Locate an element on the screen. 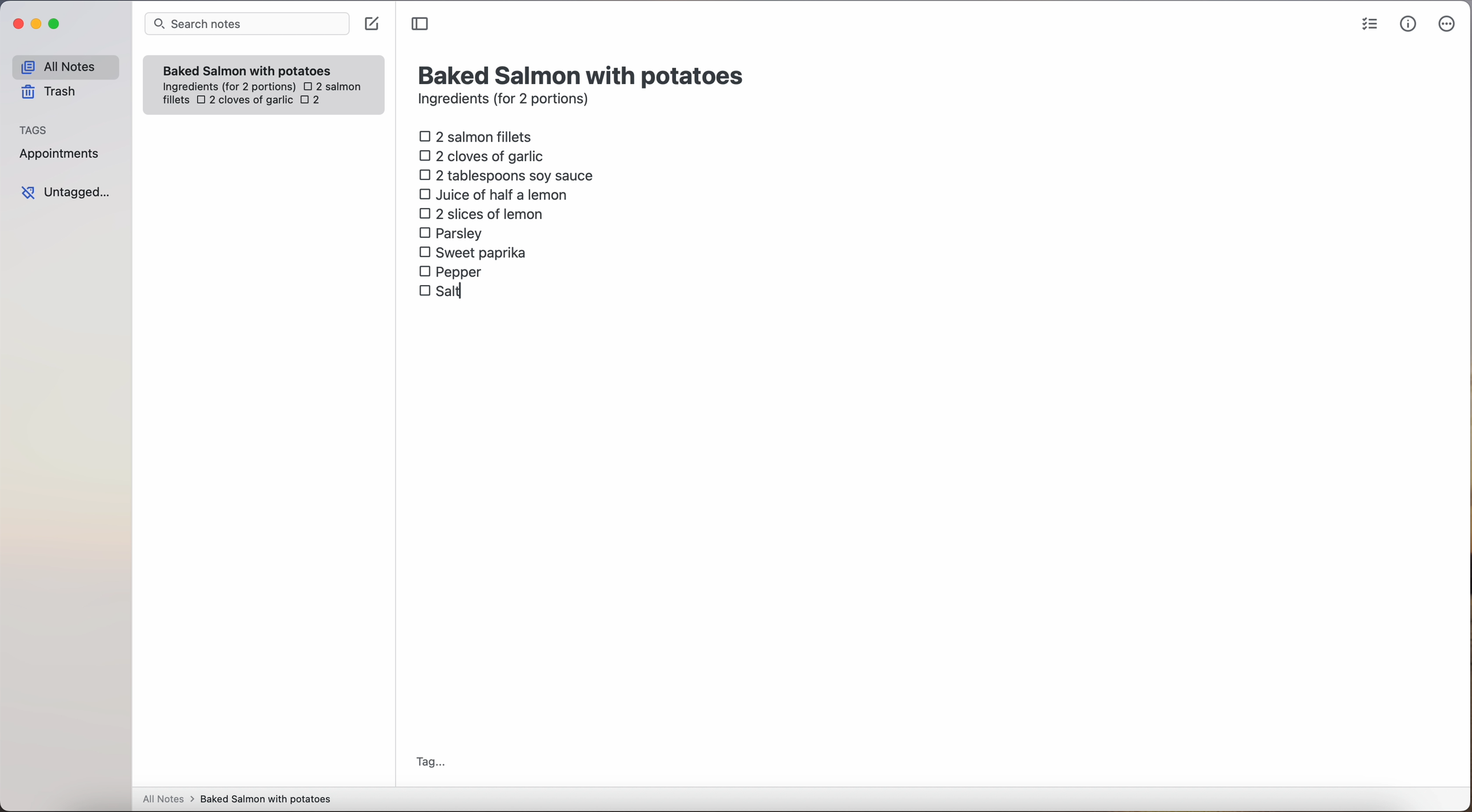 The height and width of the screenshot is (812, 1472). create note is located at coordinates (371, 24).